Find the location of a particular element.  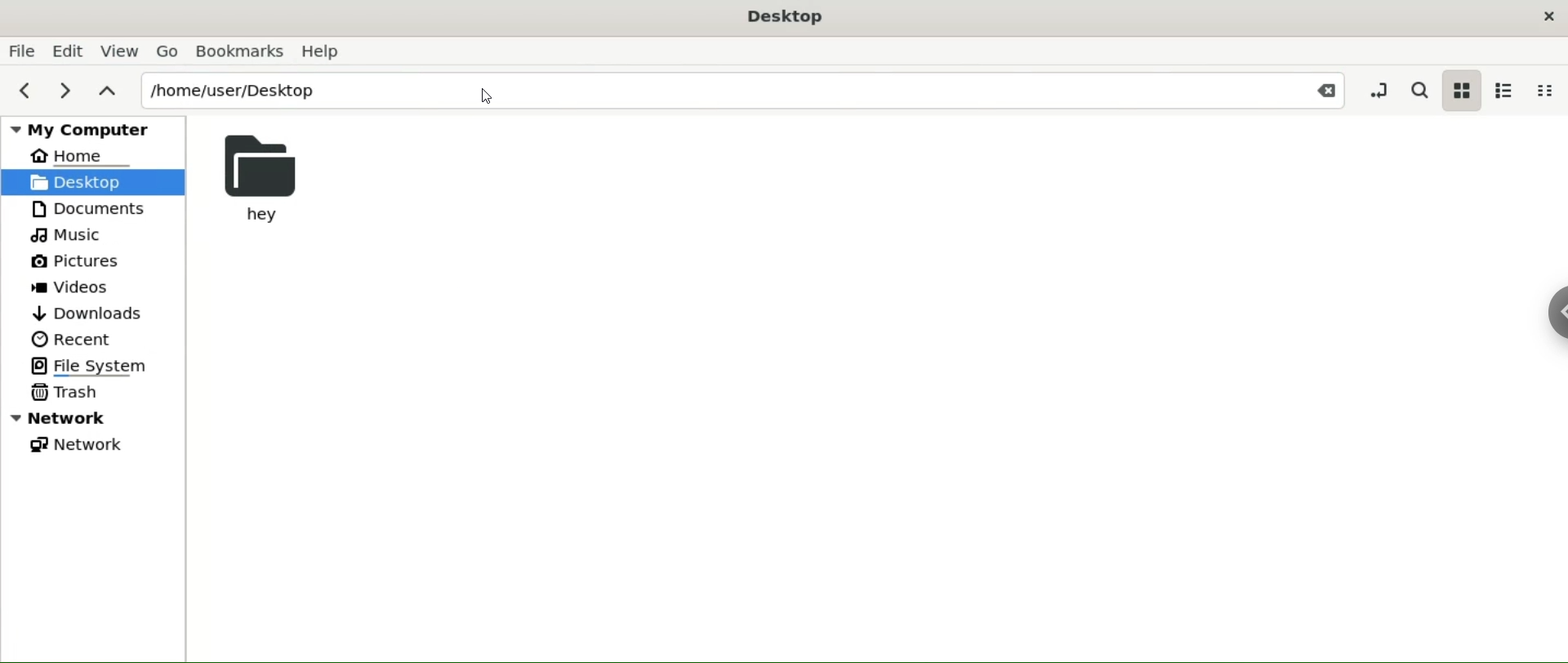

icon view is located at coordinates (1461, 90).